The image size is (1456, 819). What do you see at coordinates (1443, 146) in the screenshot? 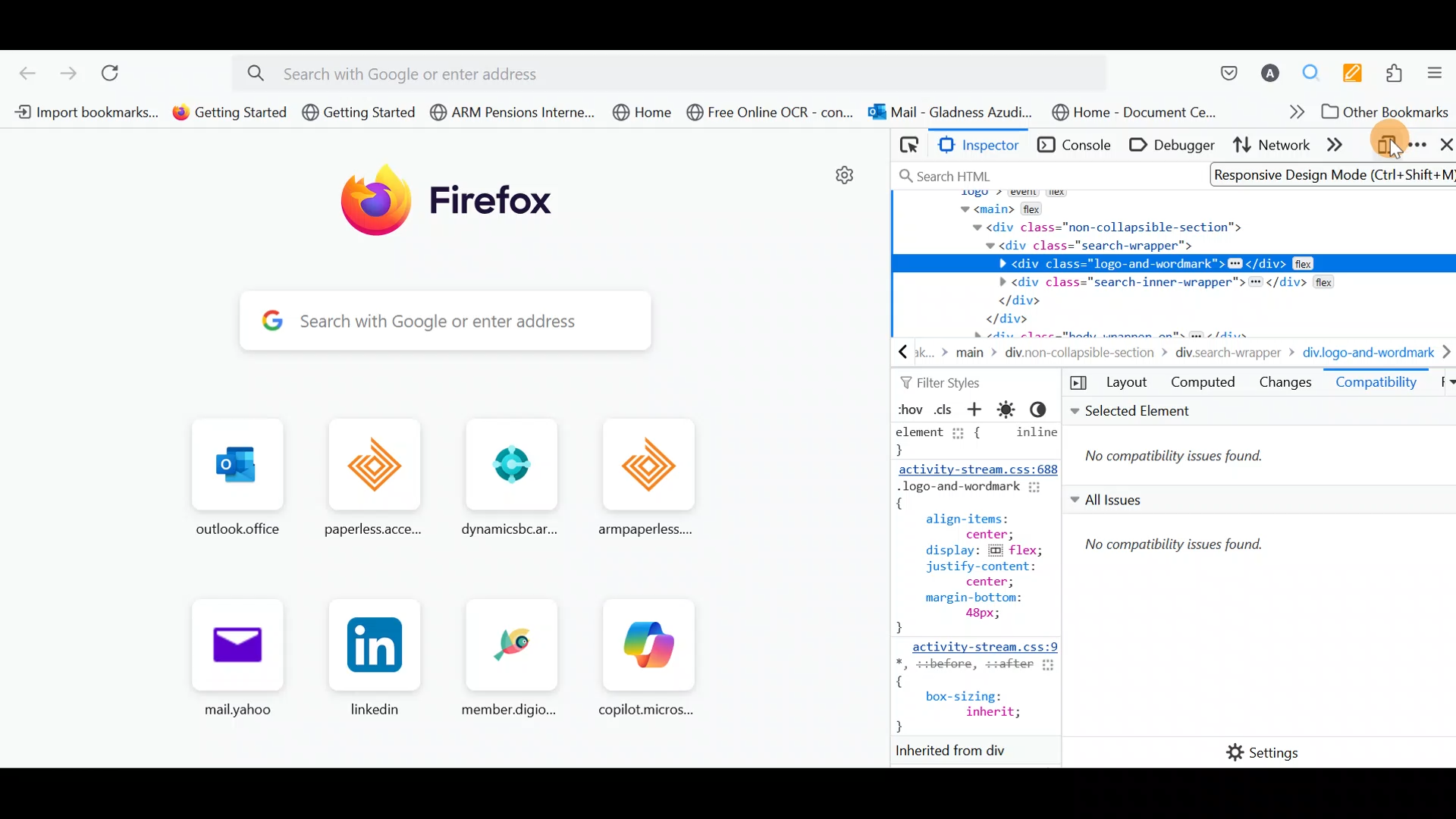
I see `Close developer tools` at bounding box center [1443, 146].